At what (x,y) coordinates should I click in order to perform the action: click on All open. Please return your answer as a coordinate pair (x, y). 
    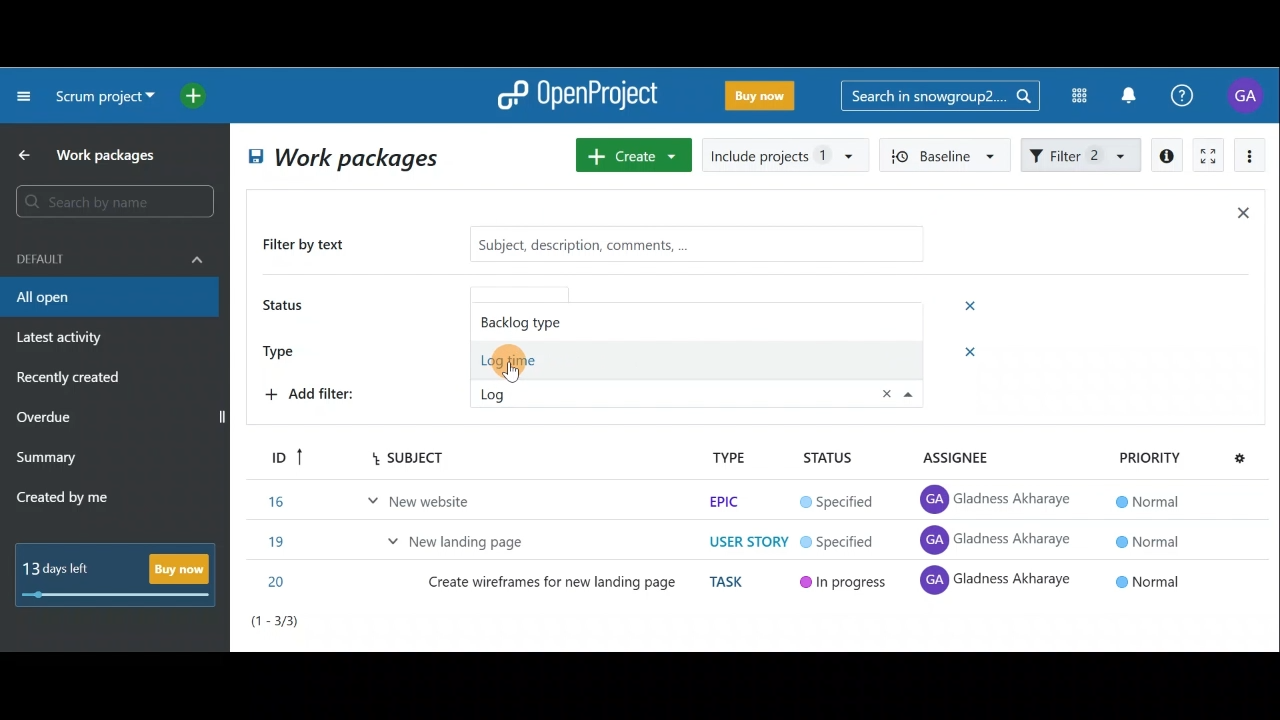
    Looking at the image, I should click on (108, 298).